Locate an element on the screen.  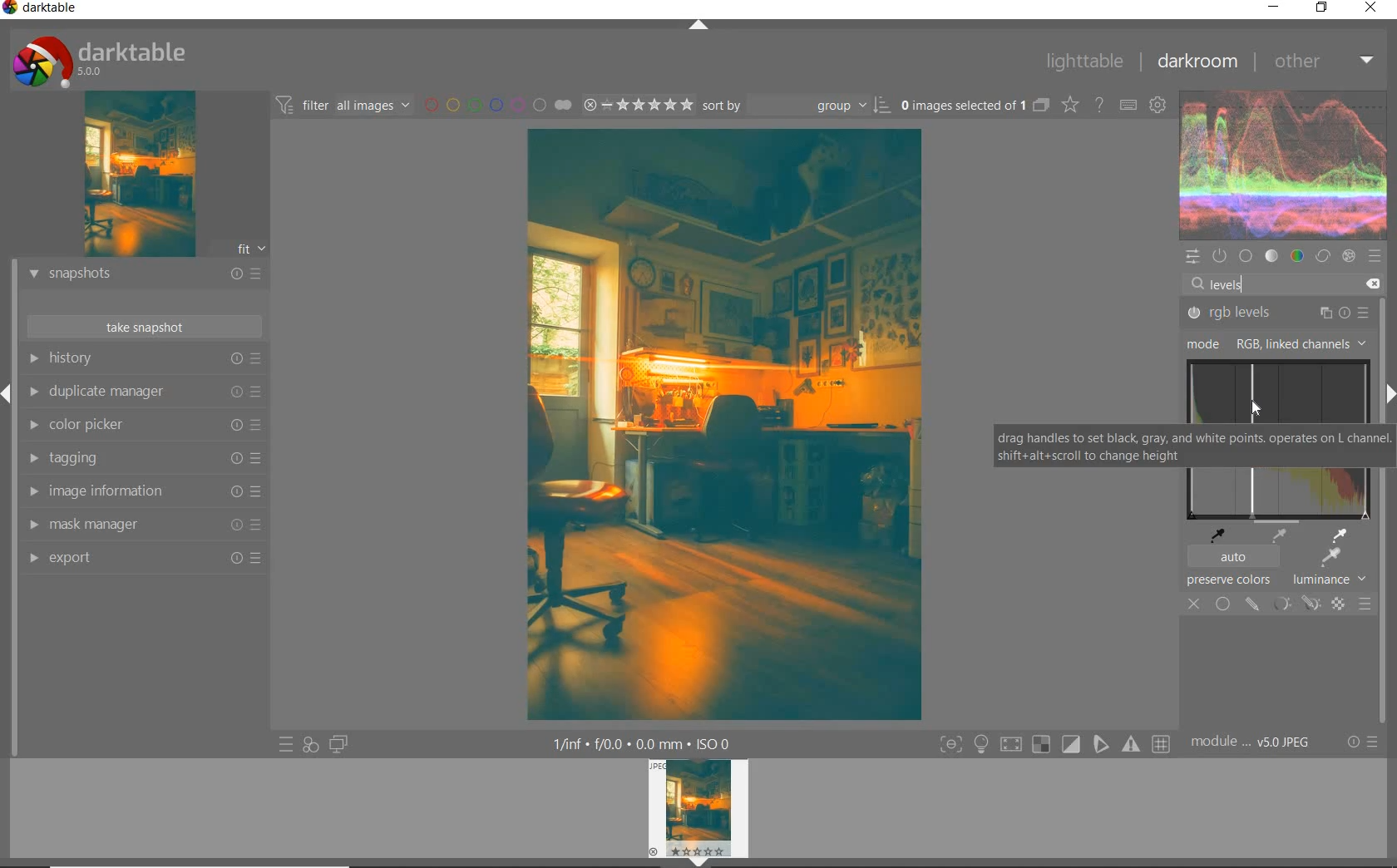
filter by image color is located at coordinates (498, 106).